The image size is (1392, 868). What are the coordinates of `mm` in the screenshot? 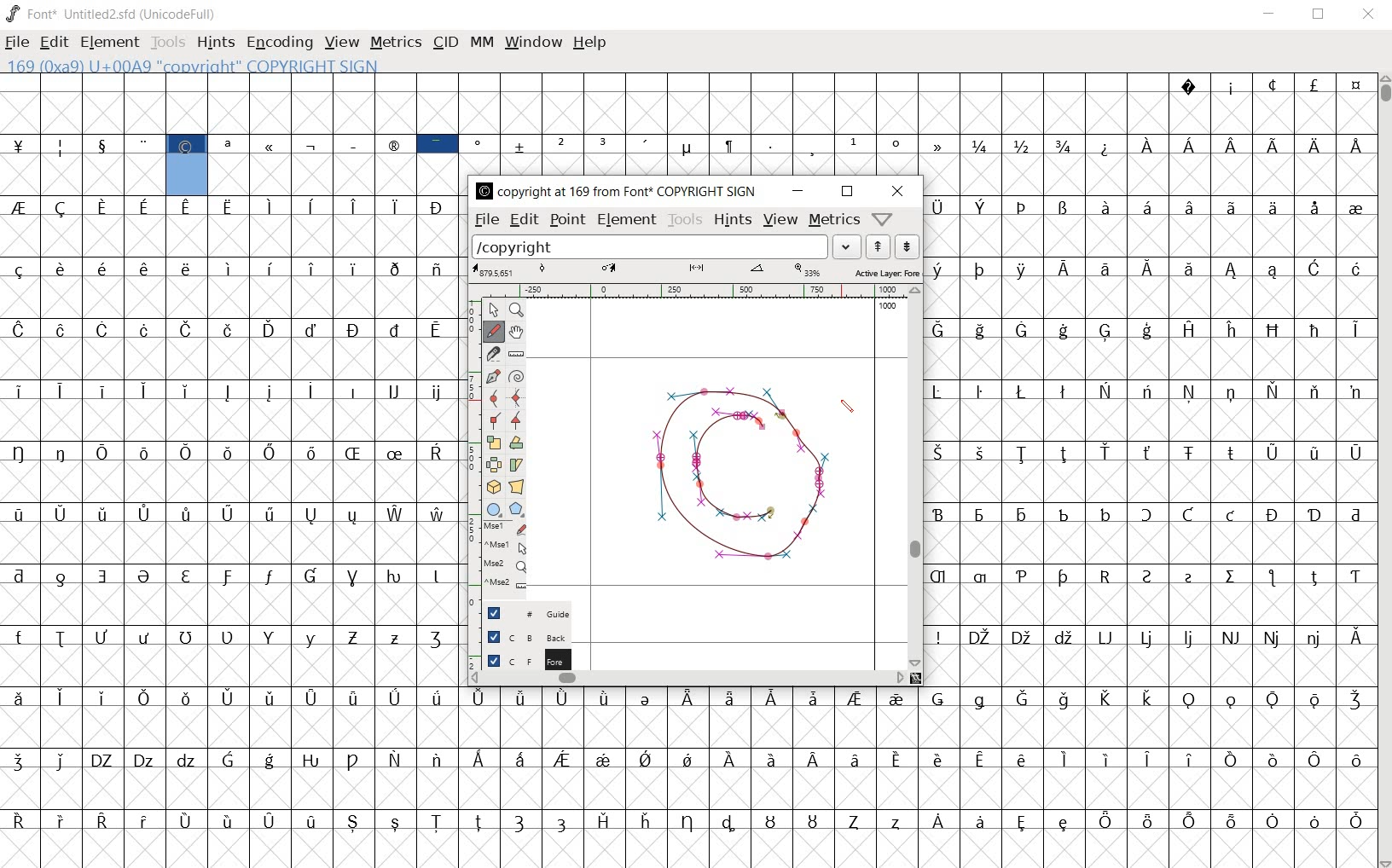 It's located at (480, 40).